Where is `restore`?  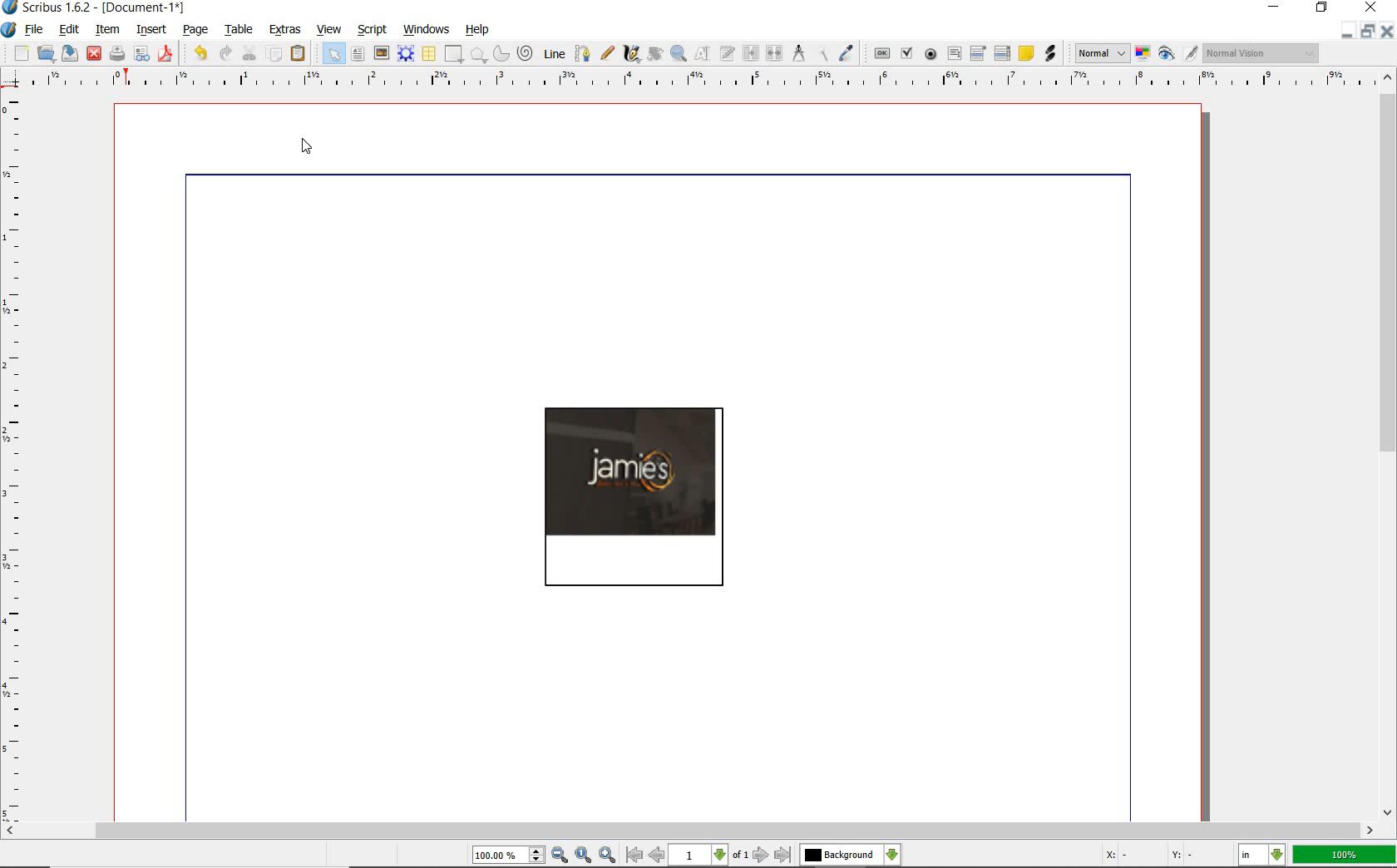
restore is located at coordinates (1324, 8).